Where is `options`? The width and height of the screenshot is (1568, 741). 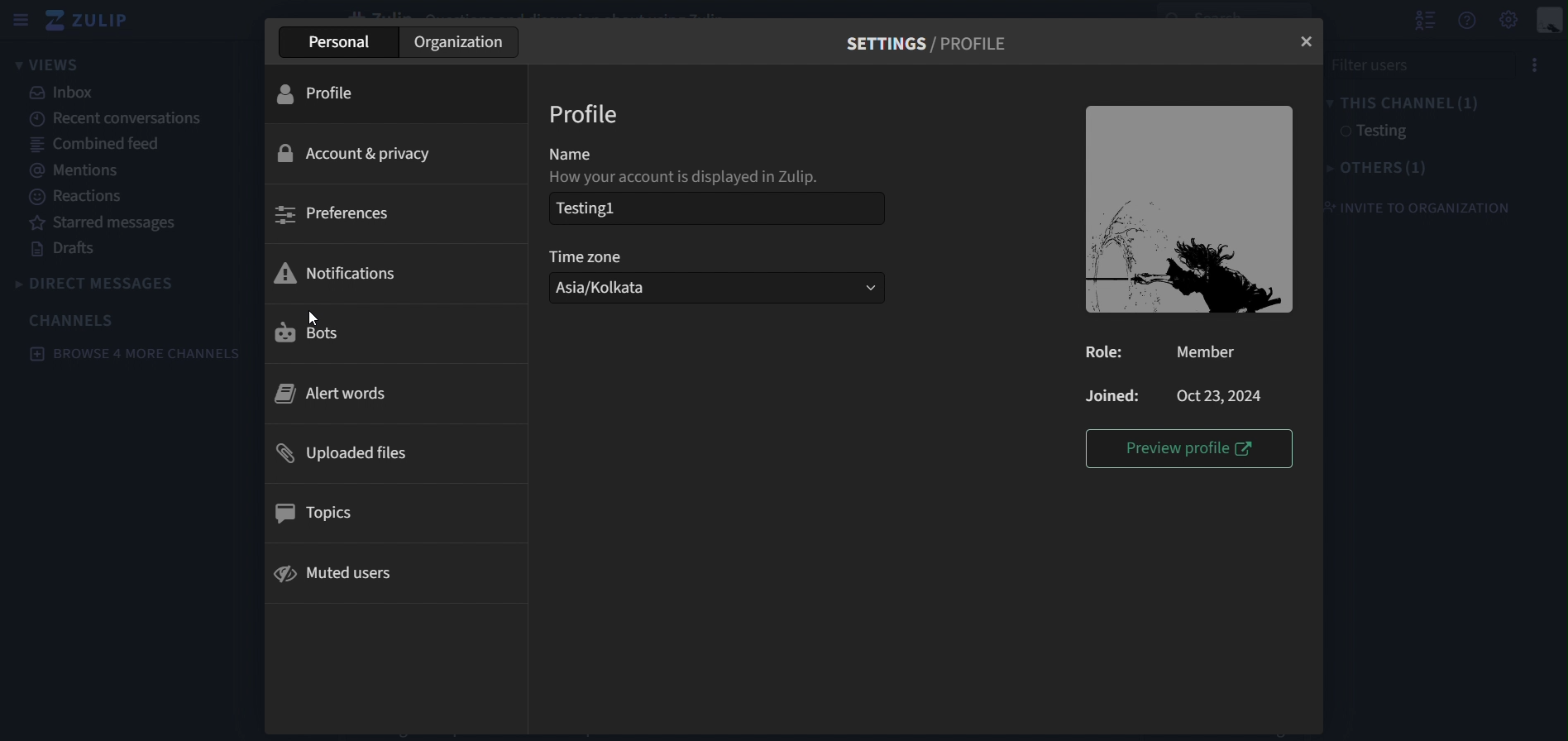
options is located at coordinates (1530, 66).